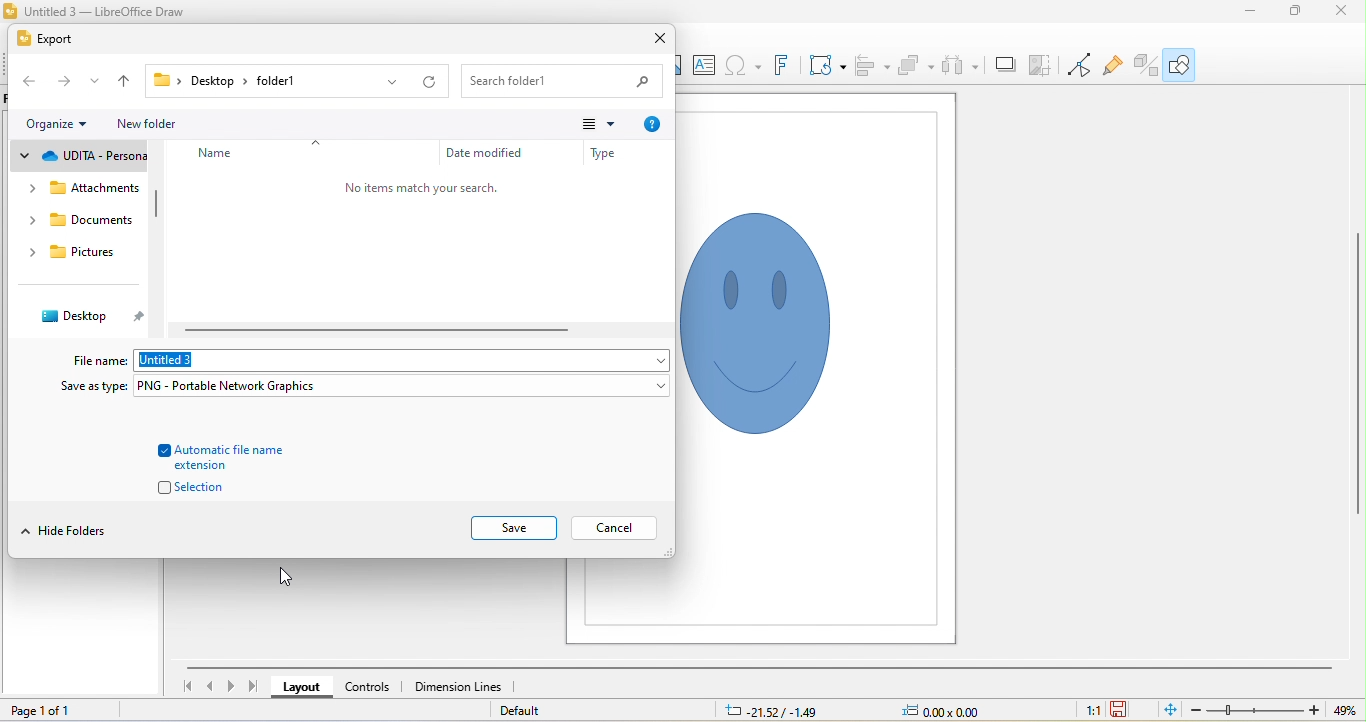 Image resolution: width=1366 pixels, height=722 pixels. What do you see at coordinates (96, 188) in the screenshot?
I see `attachments` at bounding box center [96, 188].